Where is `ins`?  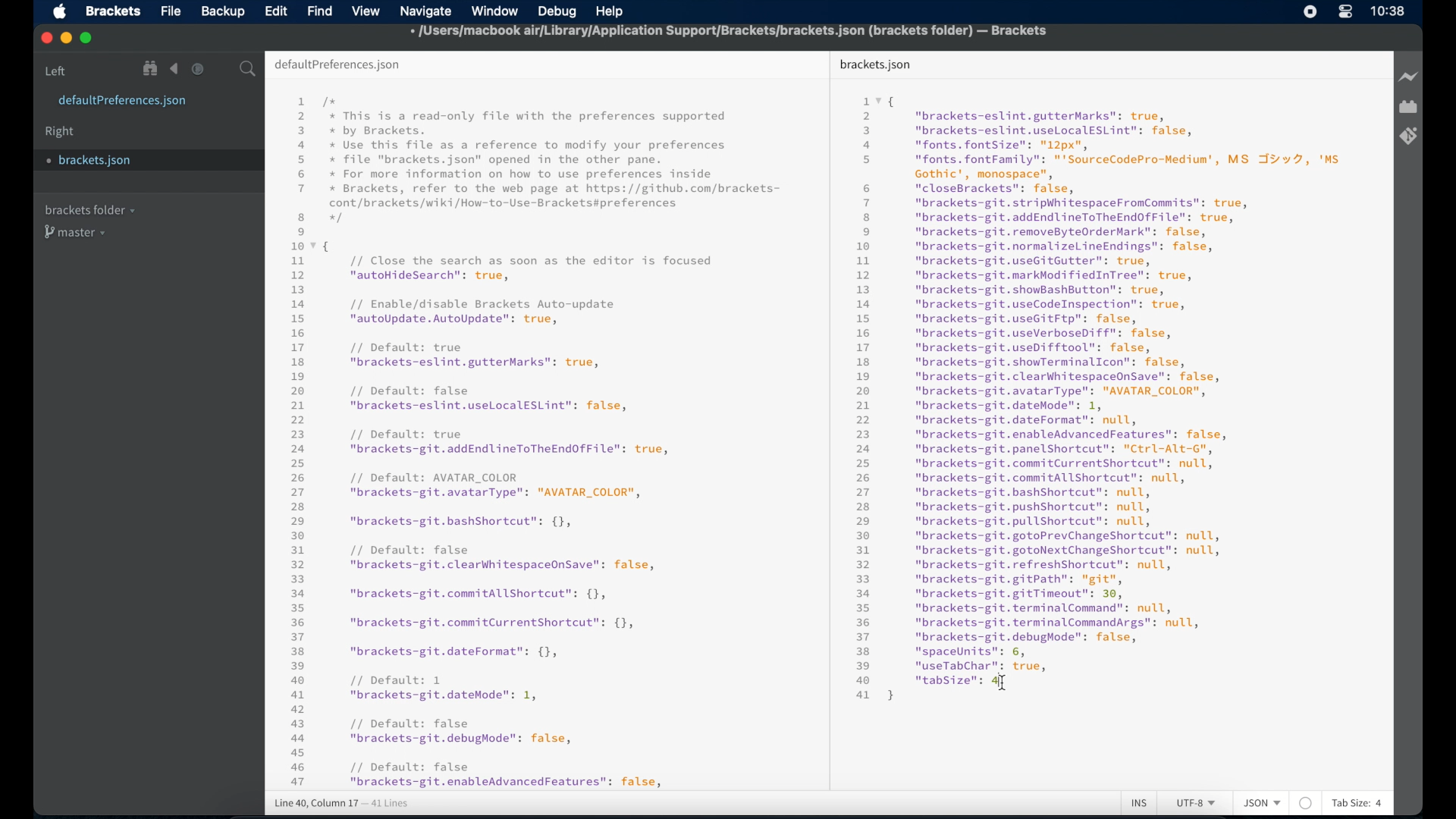
ins is located at coordinates (1139, 804).